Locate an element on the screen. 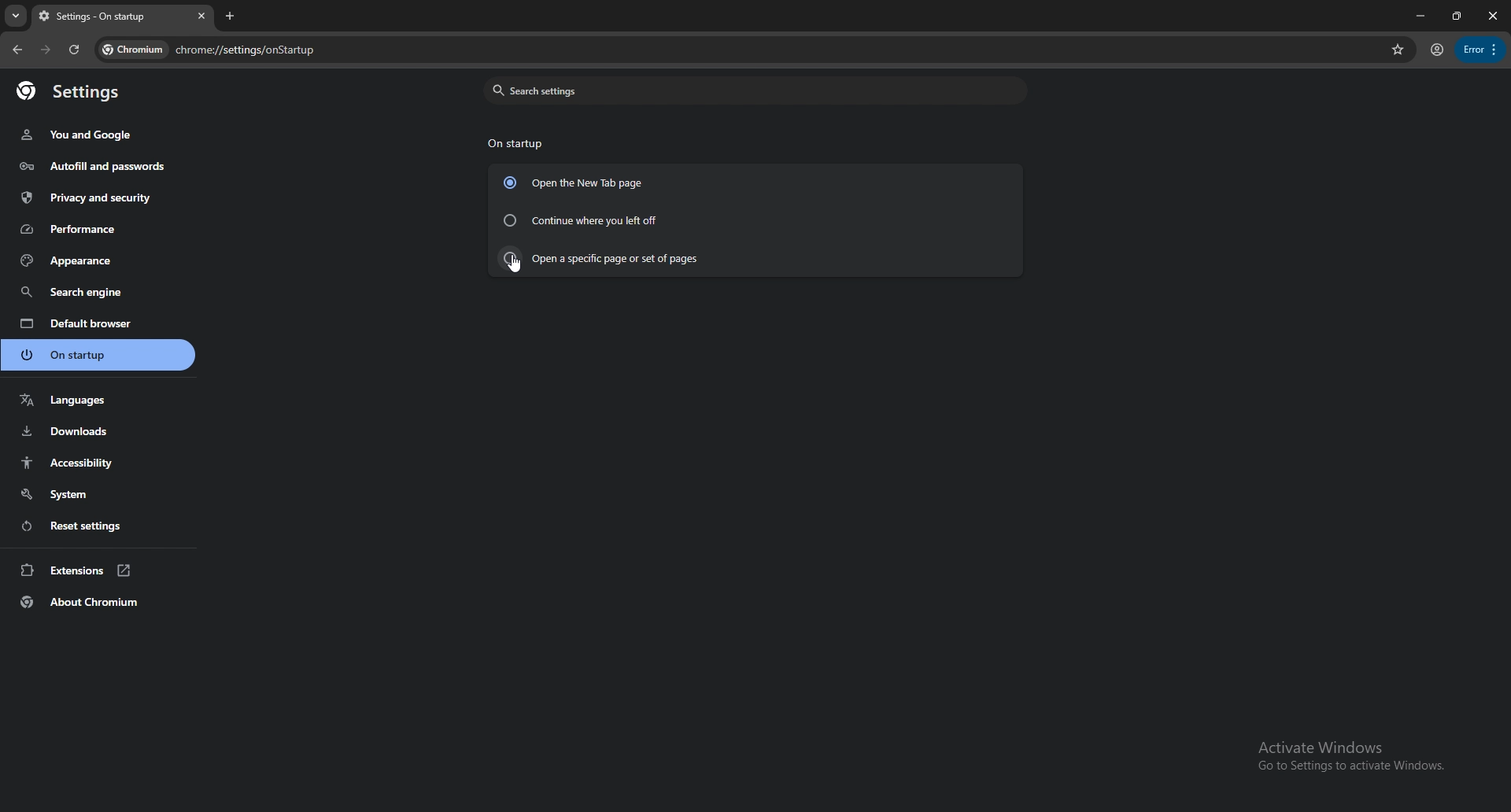 Image resolution: width=1511 pixels, height=812 pixels. minimize is located at coordinates (1417, 16).